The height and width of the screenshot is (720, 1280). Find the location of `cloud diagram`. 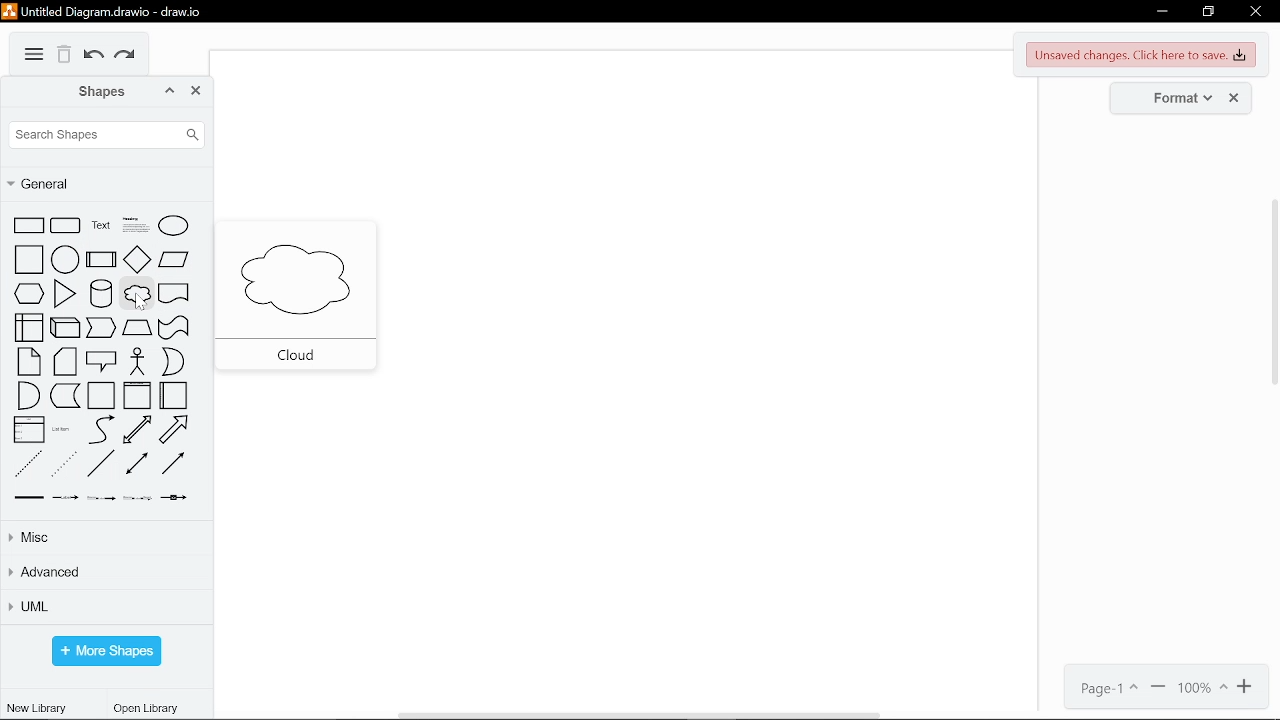

cloud diagram is located at coordinates (295, 279).